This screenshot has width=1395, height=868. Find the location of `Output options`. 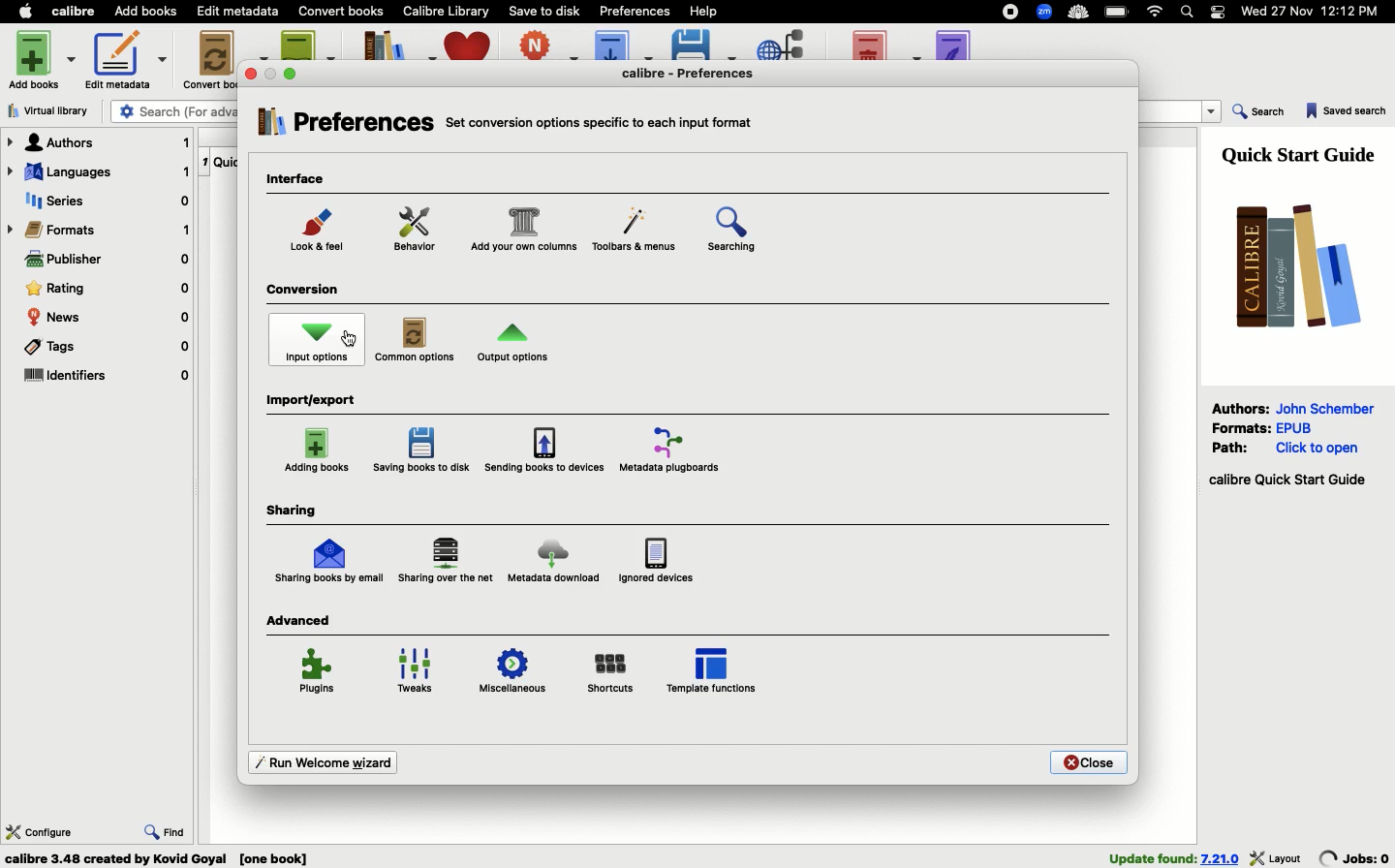

Output options is located at coordinates (513, 347).